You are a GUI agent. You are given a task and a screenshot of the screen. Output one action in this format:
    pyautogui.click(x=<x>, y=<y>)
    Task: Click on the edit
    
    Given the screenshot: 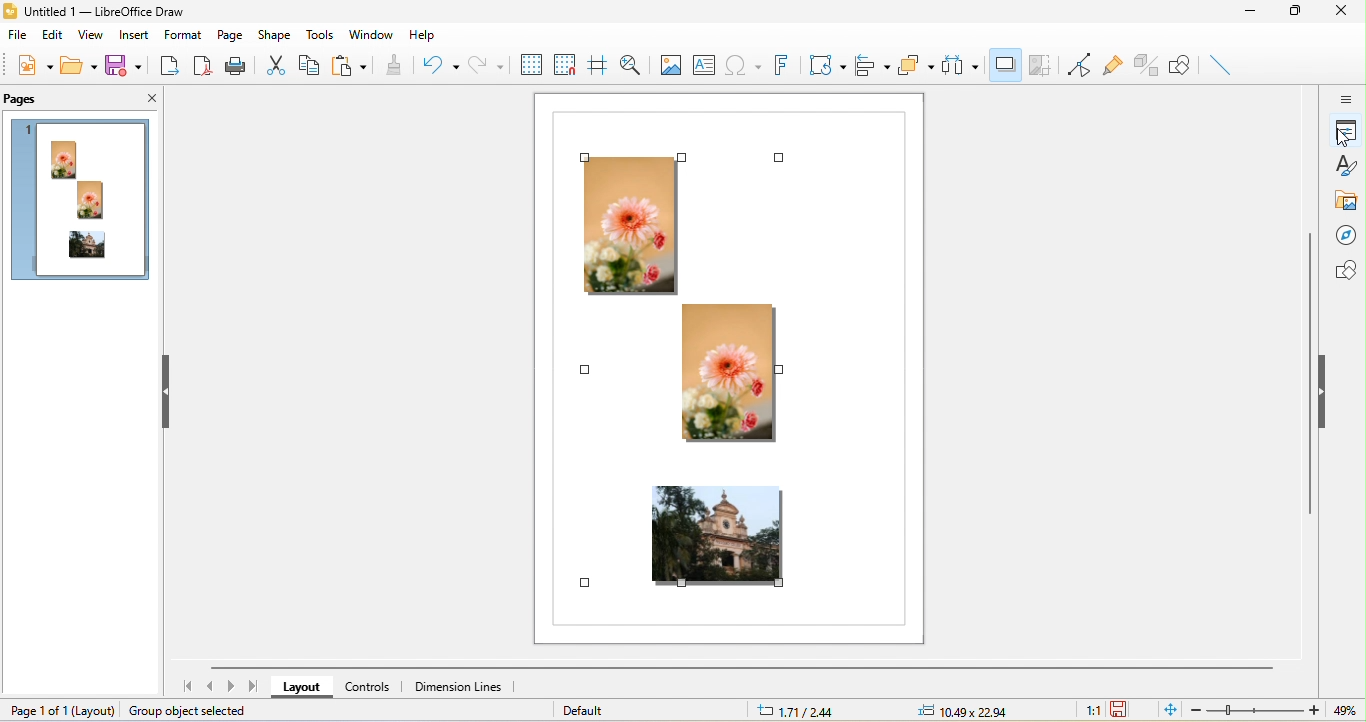 What is the action you would take?
    pyautogui.click(x=53, y=38)
    